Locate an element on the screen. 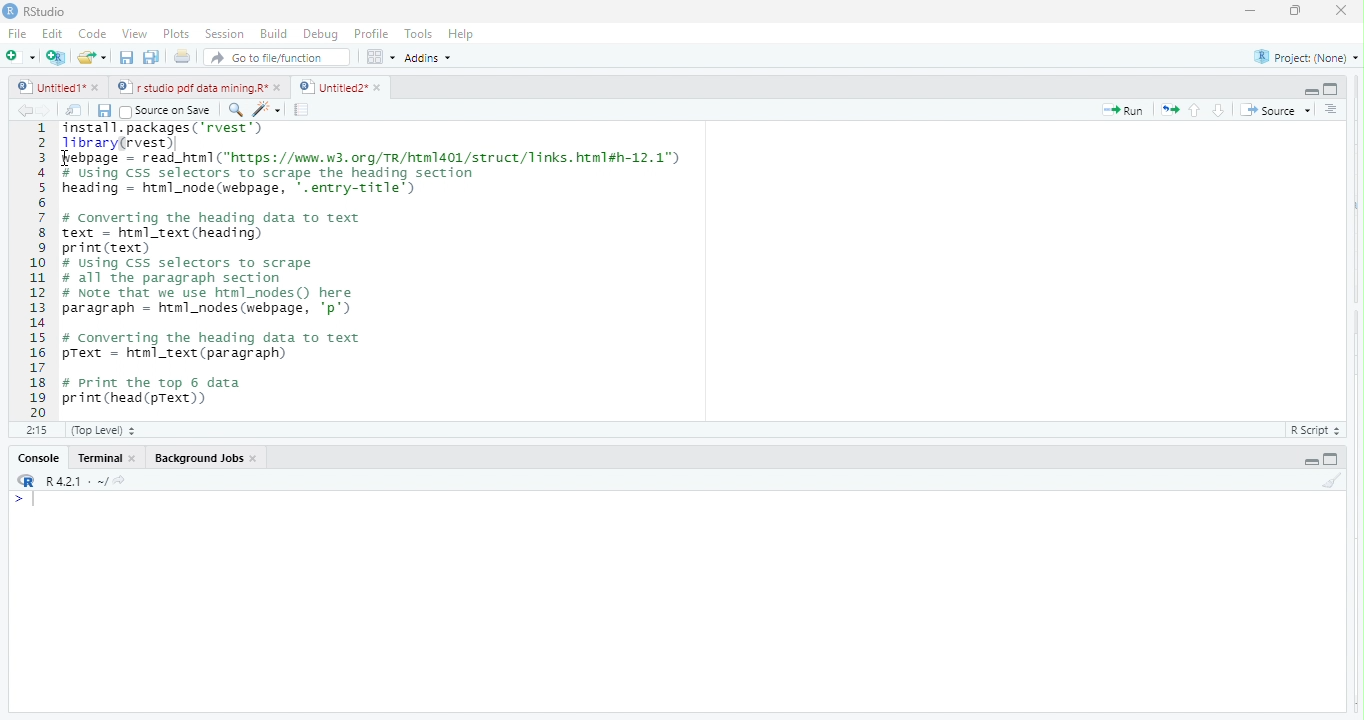  save all open document is located at coordinates (150, 57).